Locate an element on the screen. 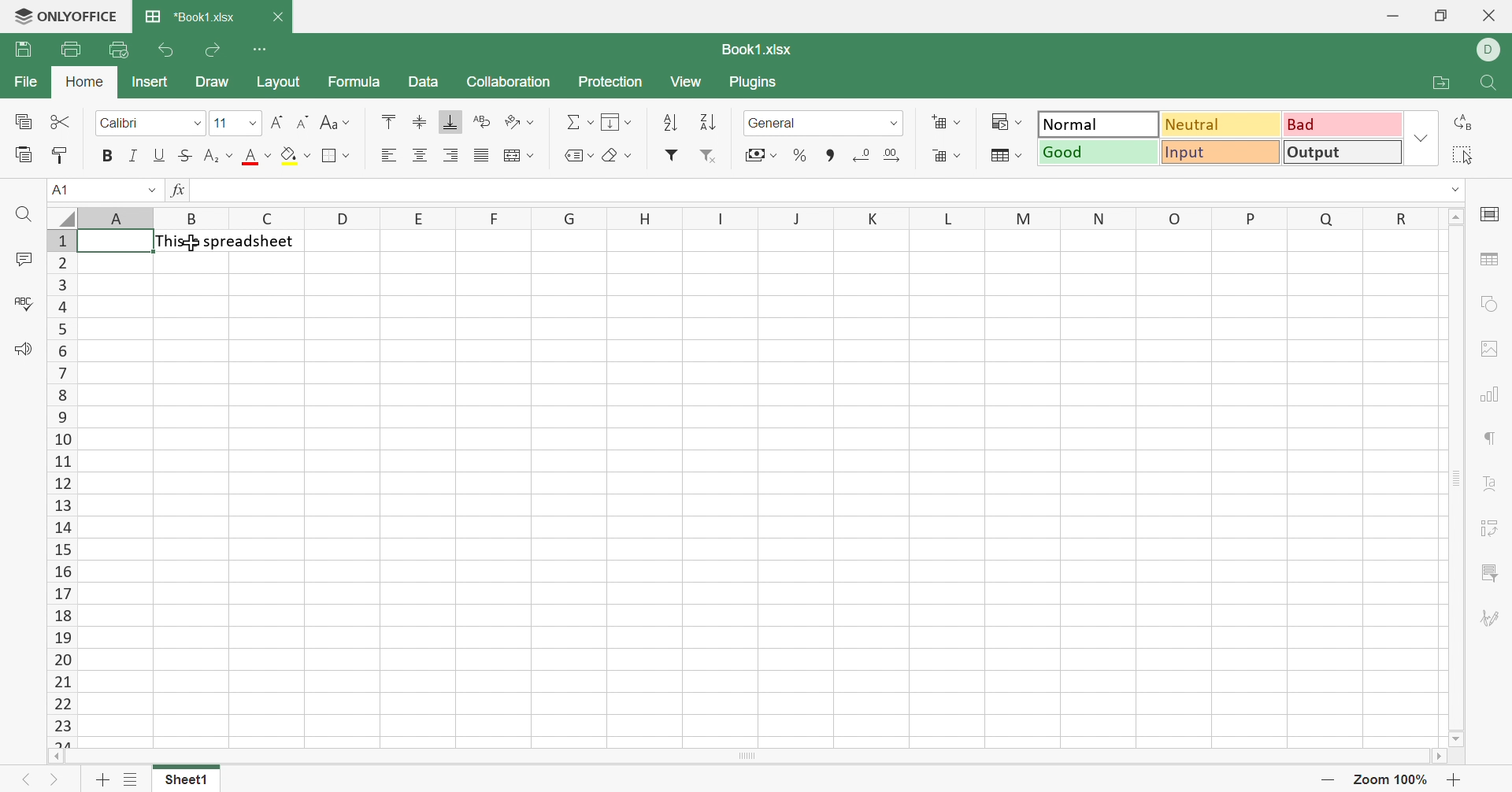 The width and height of the screenshot is (1512, 792). Drop Down is located at coordinates (532, 123).